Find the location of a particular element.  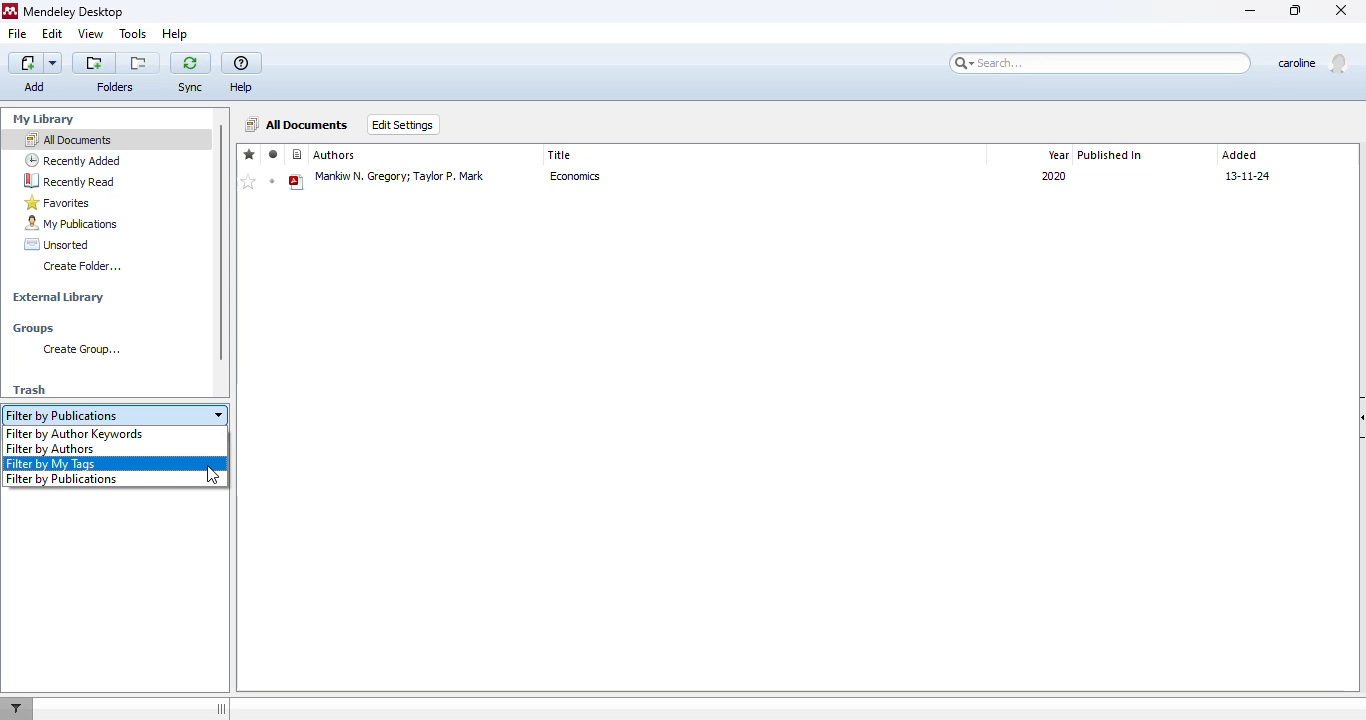

external library is located at coordinates (58, 297).